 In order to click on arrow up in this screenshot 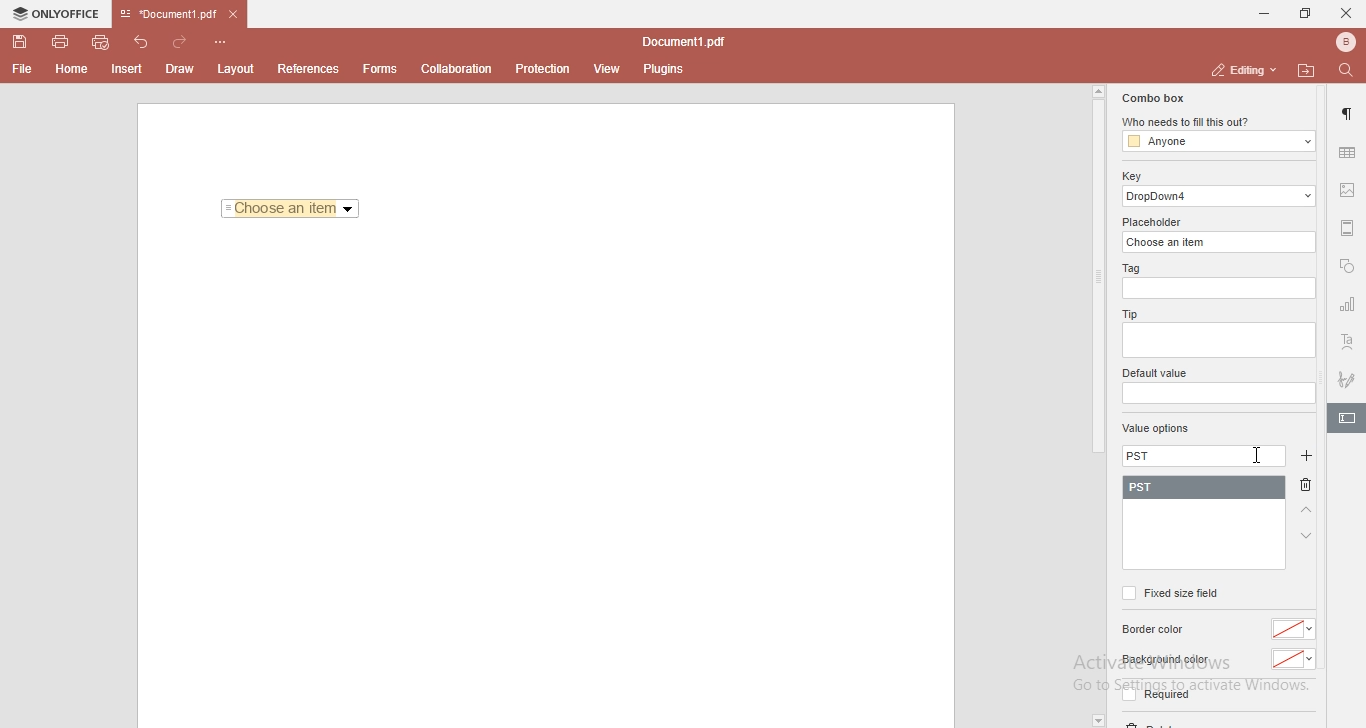, I will do `click(1307, 511)`.